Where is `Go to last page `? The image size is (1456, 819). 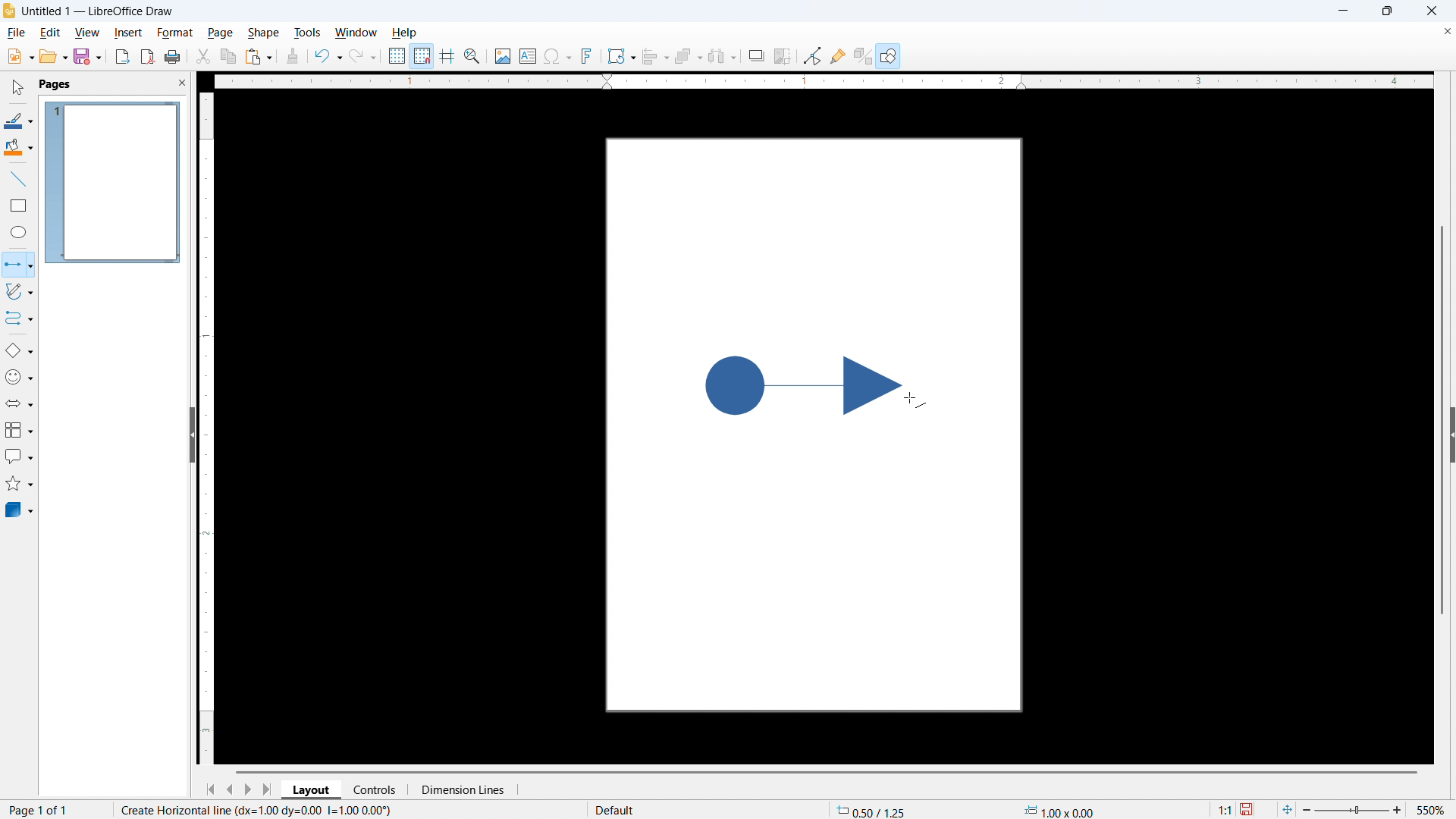 Go to last page  is located at coordinates (269, 789).